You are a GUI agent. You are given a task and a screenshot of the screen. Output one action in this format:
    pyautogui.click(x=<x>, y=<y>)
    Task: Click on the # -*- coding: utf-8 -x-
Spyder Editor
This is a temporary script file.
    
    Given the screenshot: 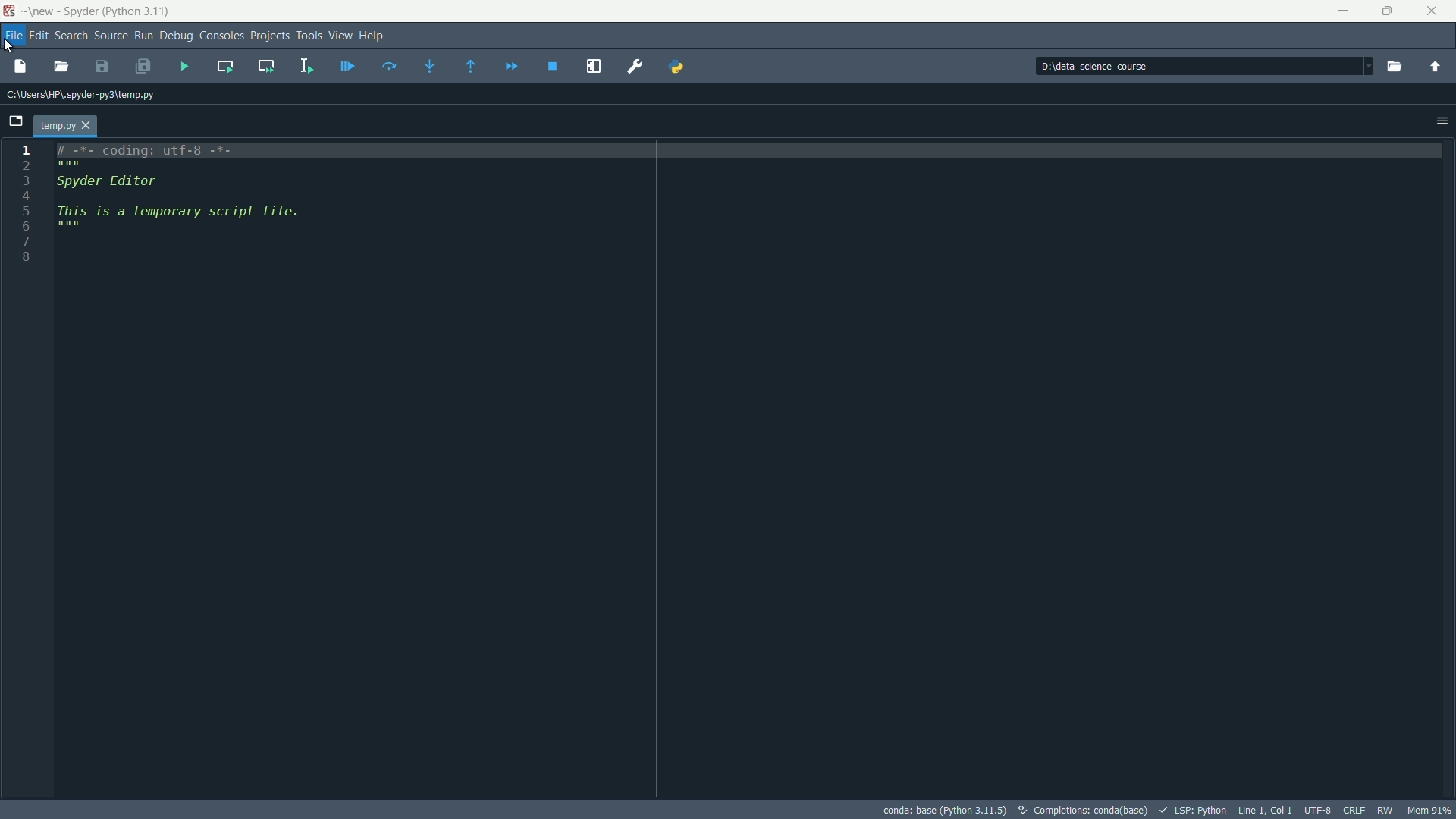 What is the action you would take?
    pyautogui.click(x=215, y=193)
    